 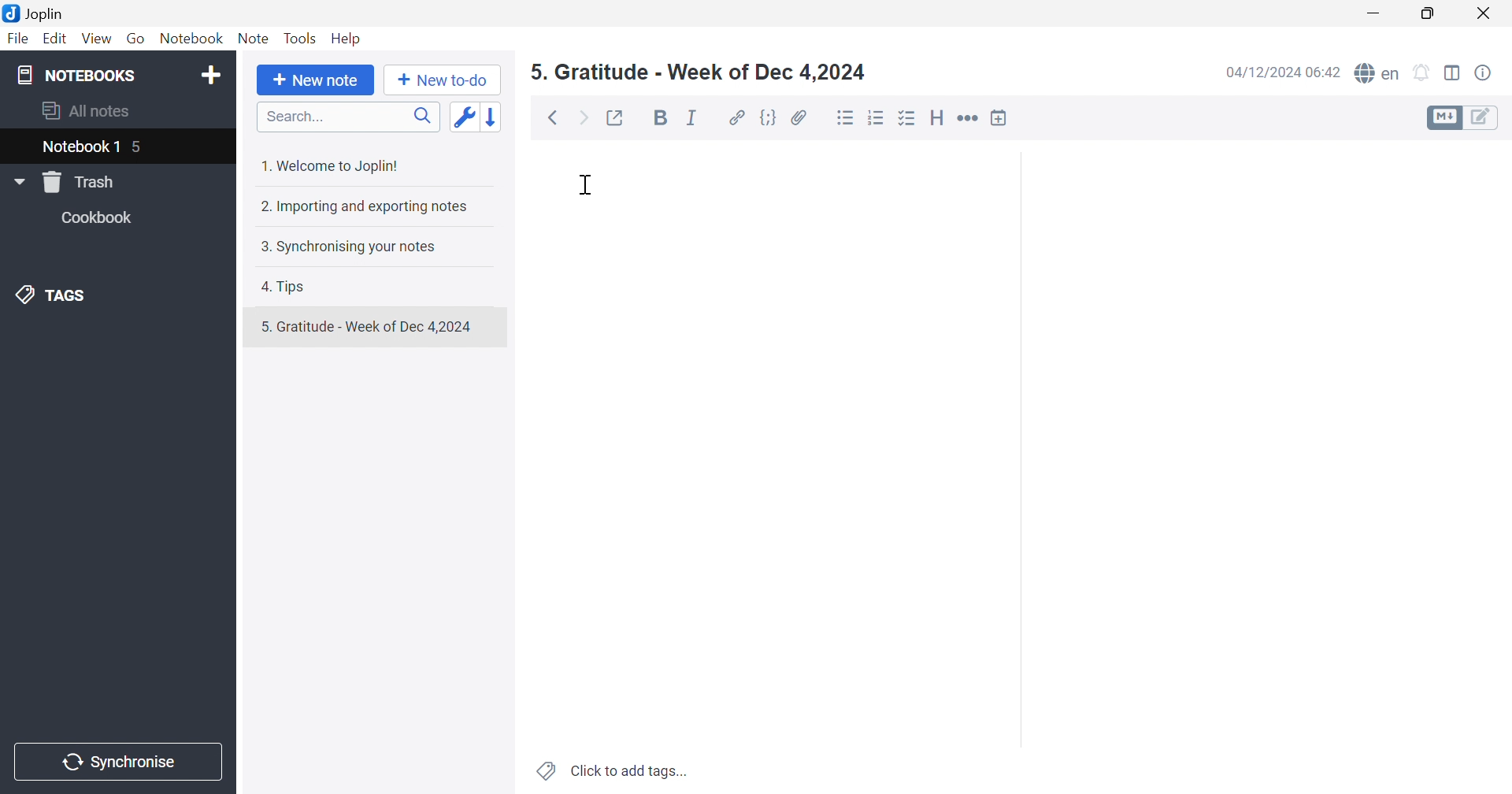 What do you see at coordinates (300, 38) in the screenshot?
I see `Tools` at bounding box center [300, 38].